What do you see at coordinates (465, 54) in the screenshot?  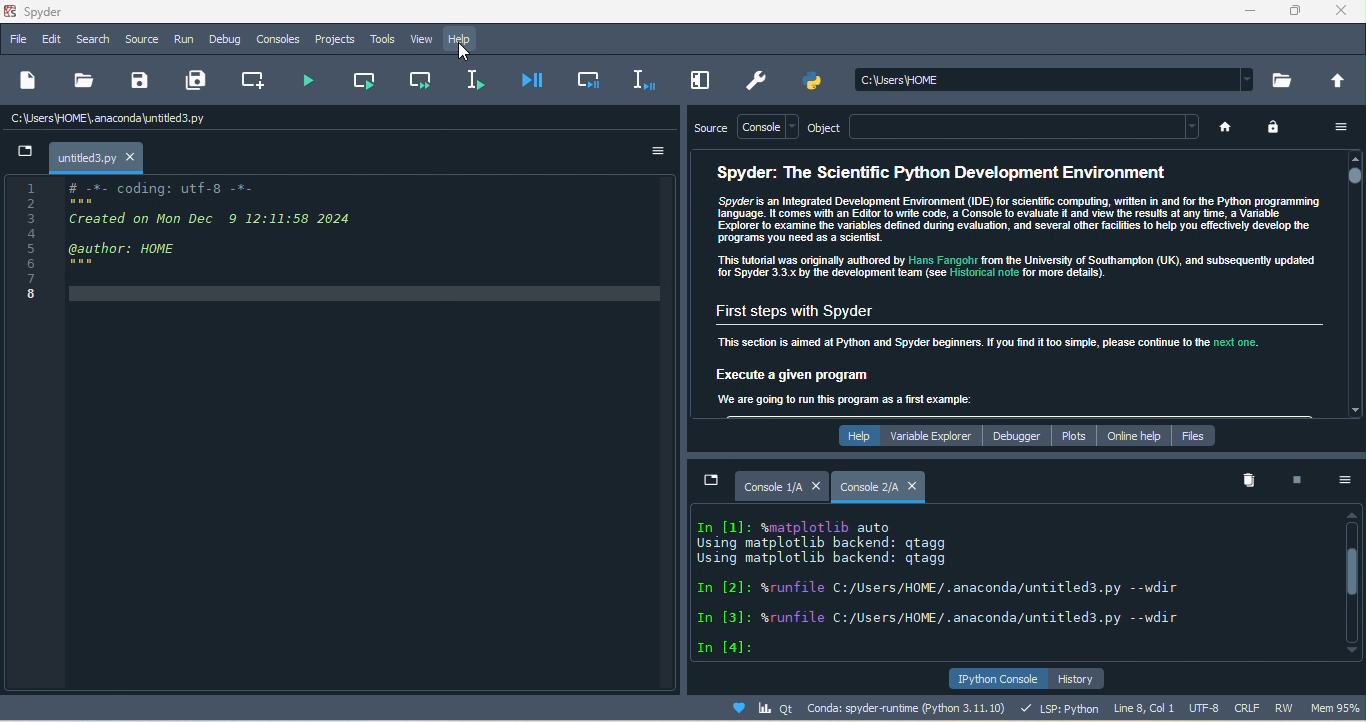 I see `Cursor` at bounding box center [465, 54].